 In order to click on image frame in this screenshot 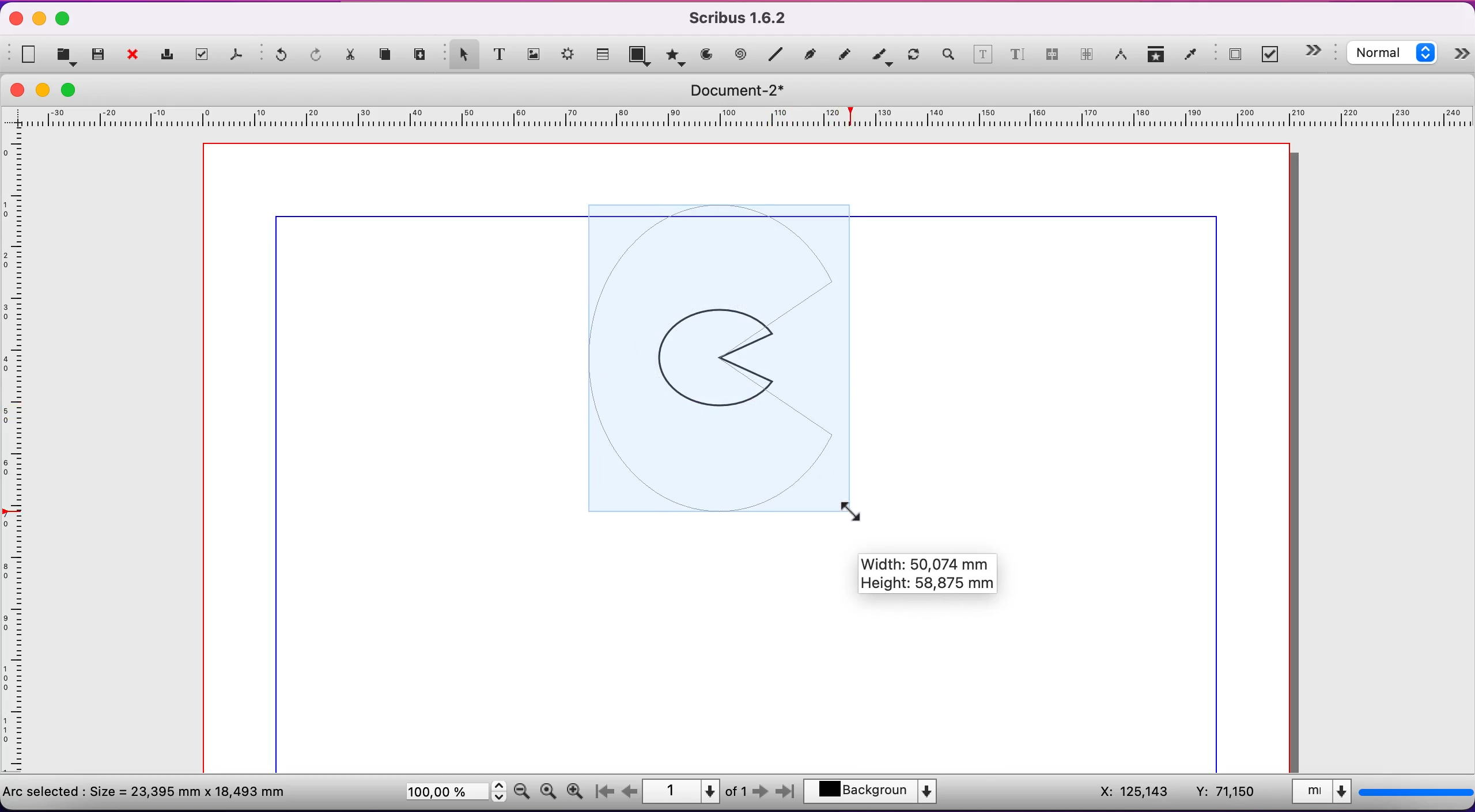, I will do `click(534, 52)`.